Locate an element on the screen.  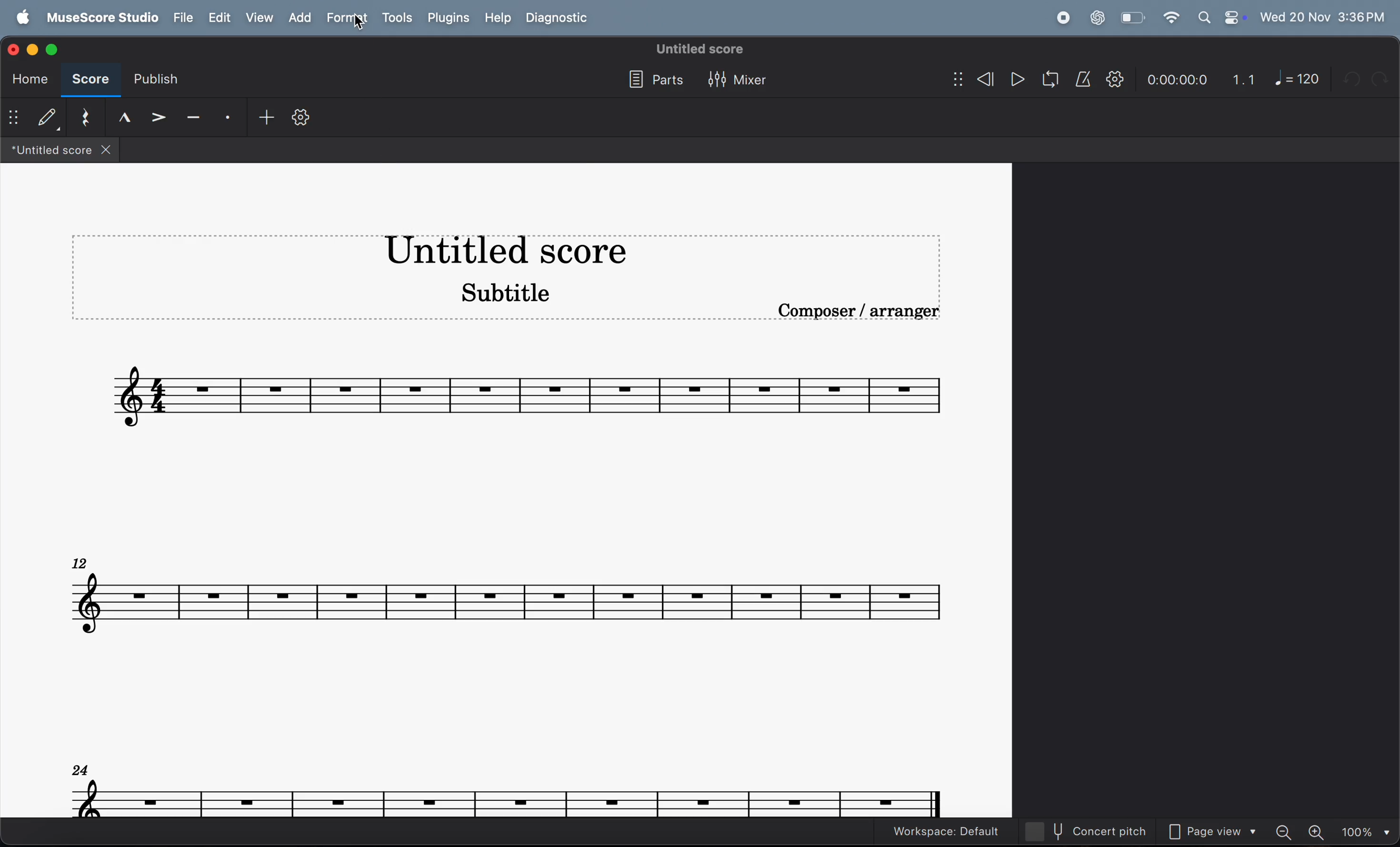
settings is located at coordinates (301, 121).